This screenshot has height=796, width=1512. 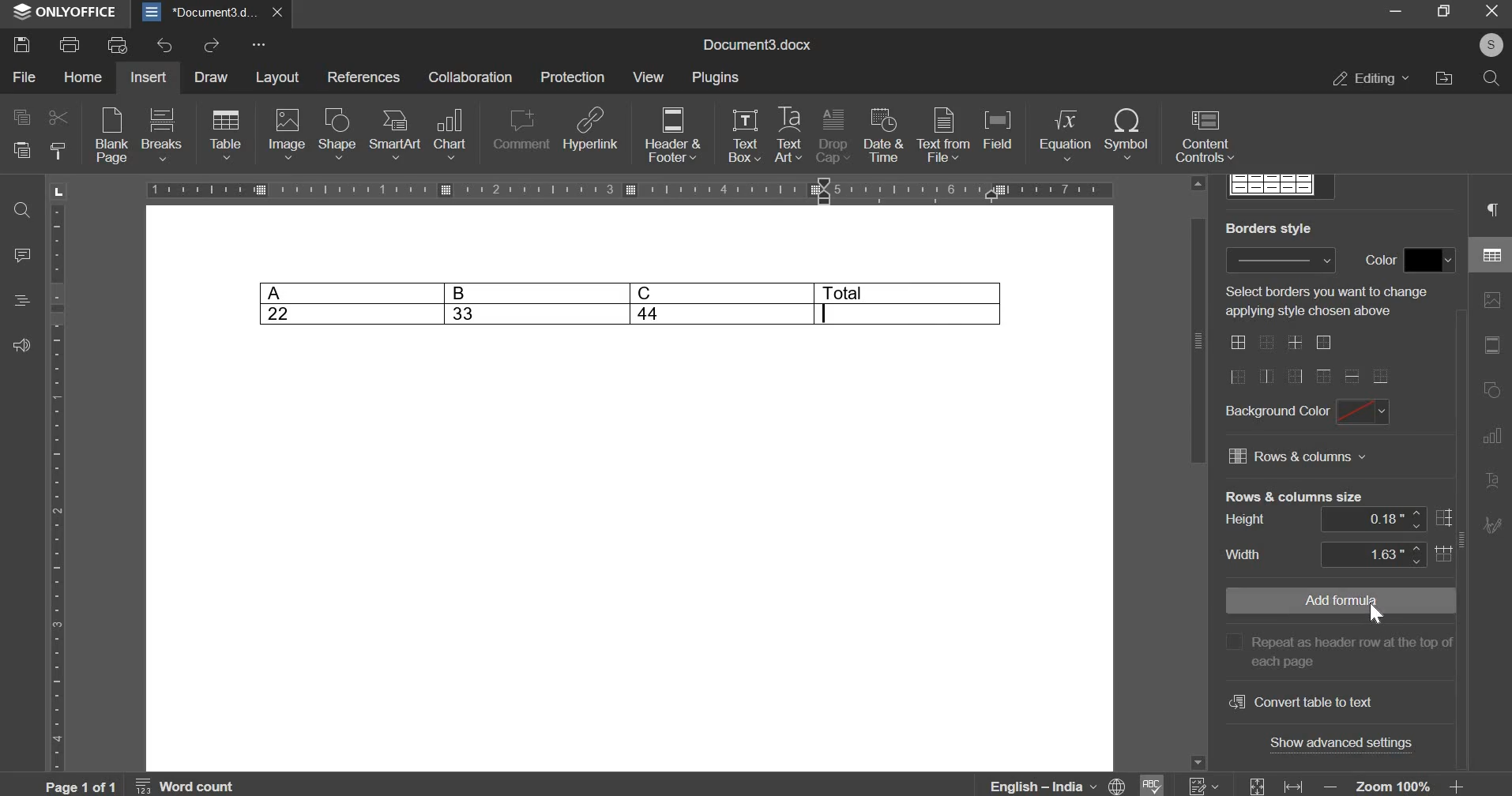 What do you see at coordinates (1063, 135) in the screenshot?
I see `equation` at bounding box center [1063, 135].